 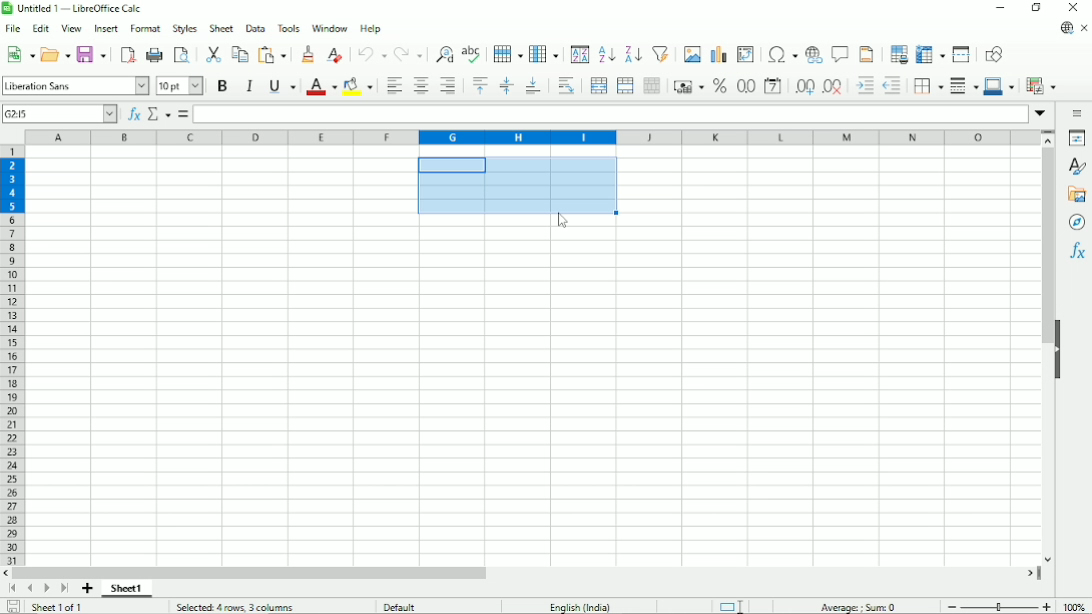 I want to click on Restore down, so click(x=1037, y=9).